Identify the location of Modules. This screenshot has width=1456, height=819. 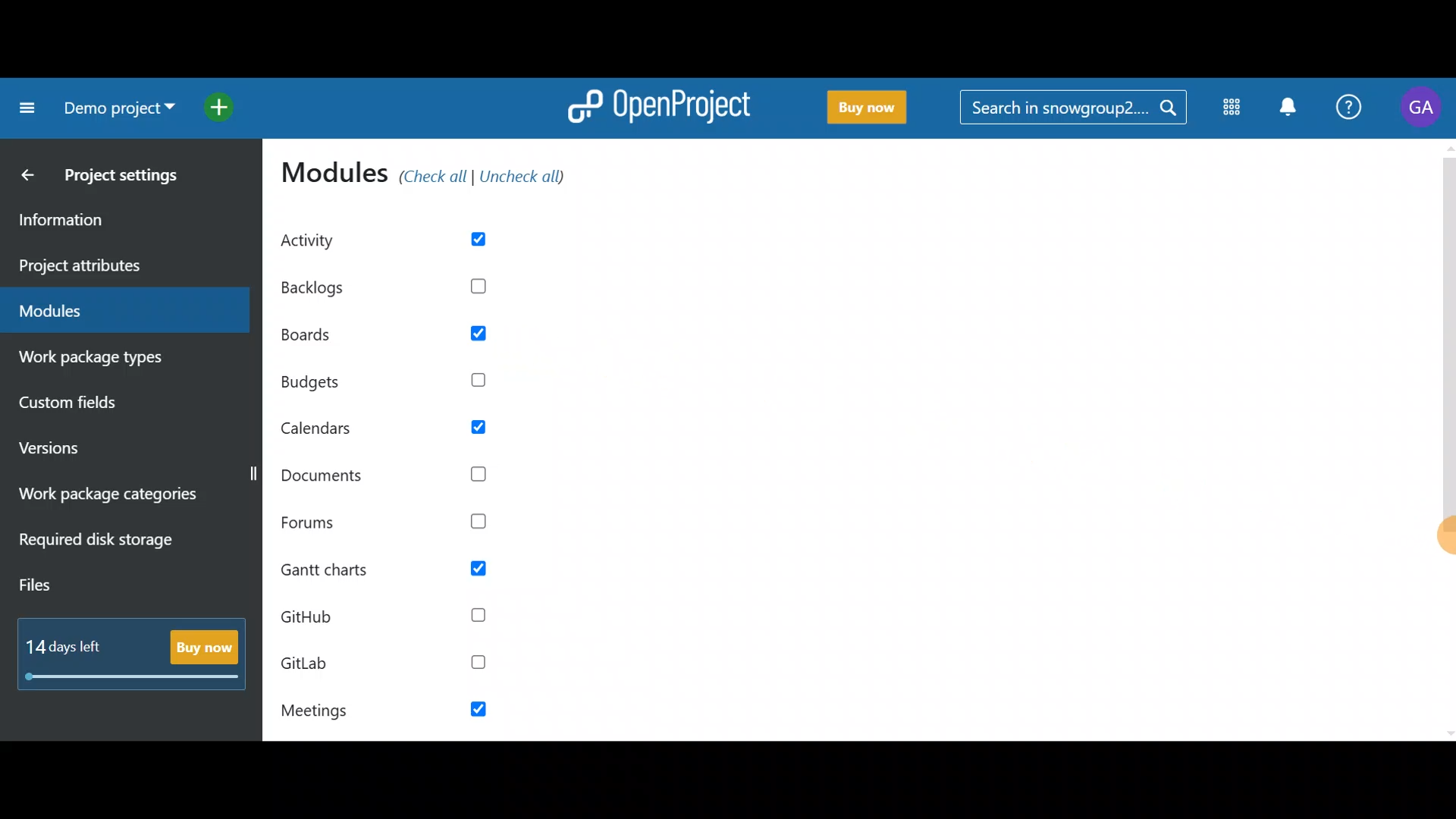
(115, 311).